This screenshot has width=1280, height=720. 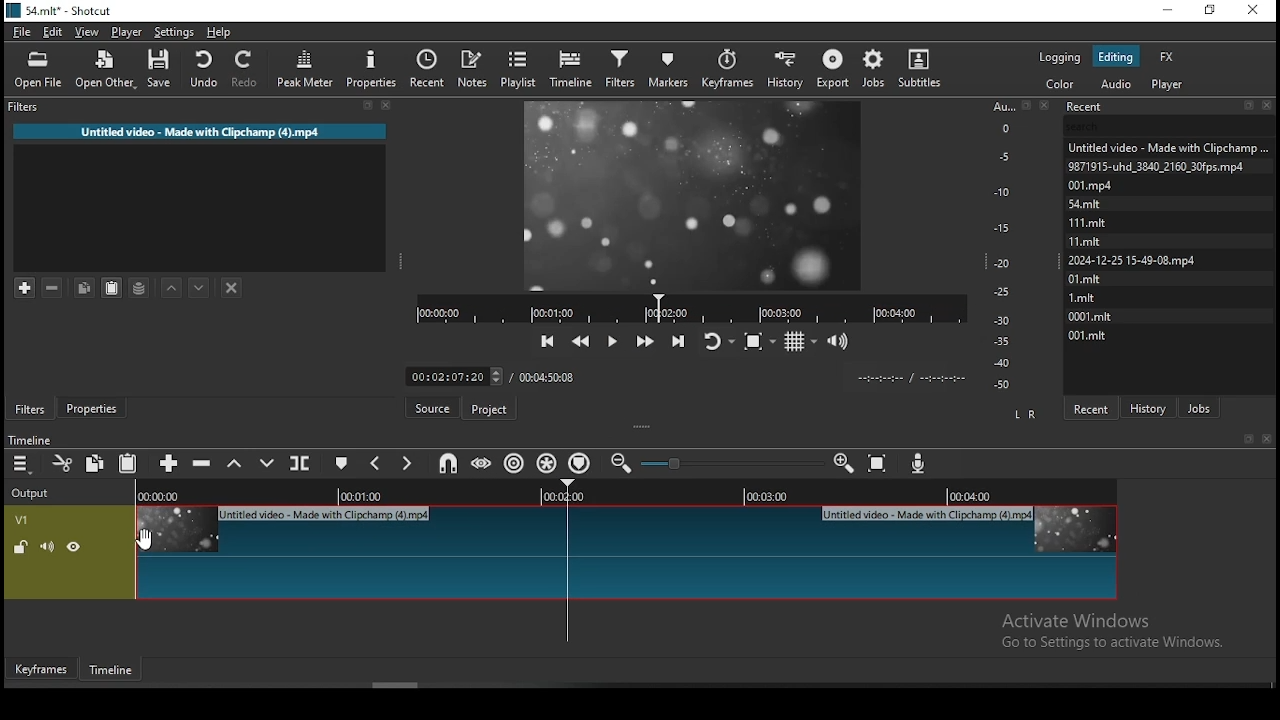 I want to click on deselect filter, so click(x=233, y=287).